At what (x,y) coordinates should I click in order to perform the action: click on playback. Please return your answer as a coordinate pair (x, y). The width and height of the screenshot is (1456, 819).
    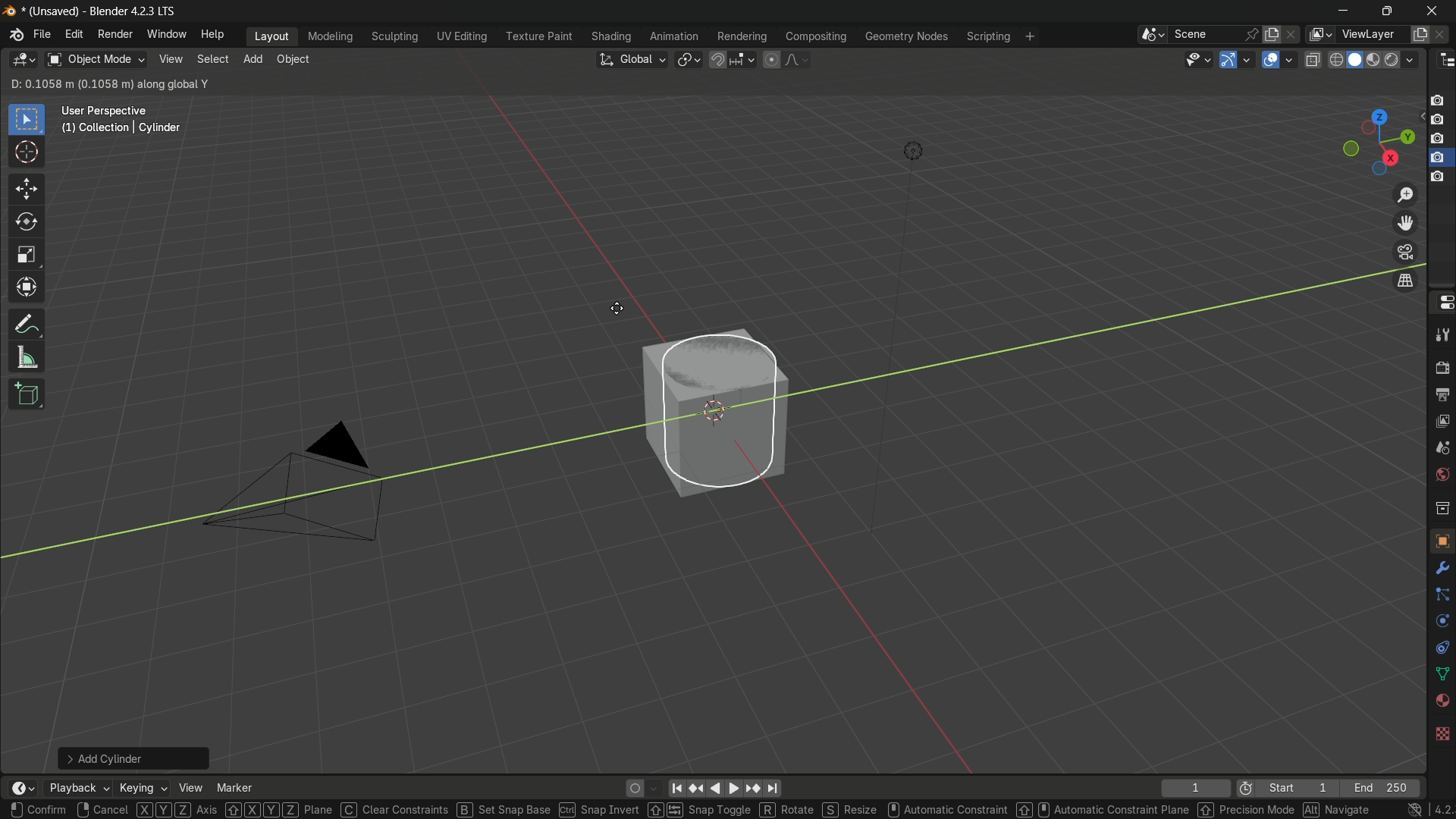
    Looking at the image, I should click on (78, 789).